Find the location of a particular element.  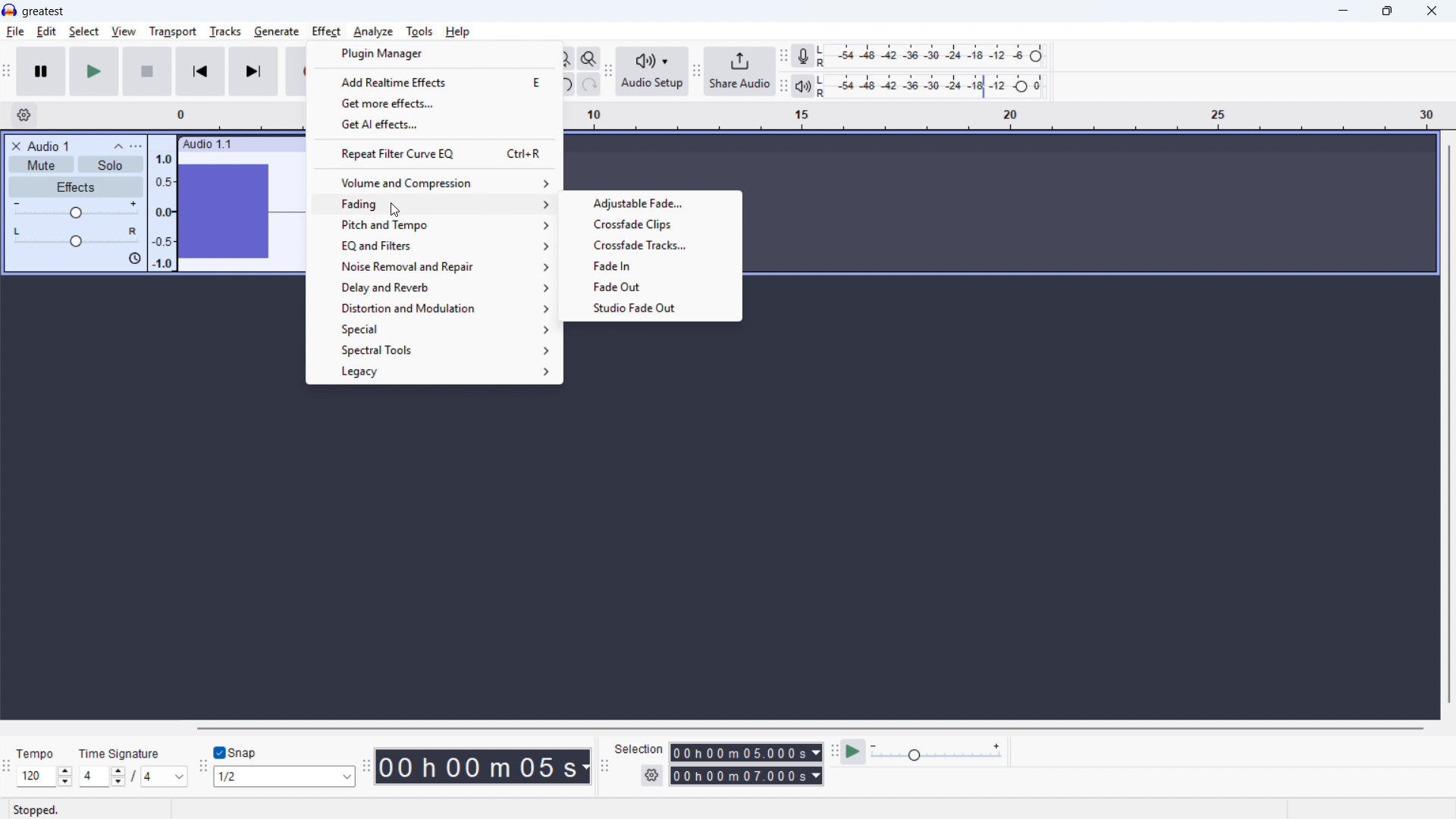

stop  is located at coordinates (147, 71).